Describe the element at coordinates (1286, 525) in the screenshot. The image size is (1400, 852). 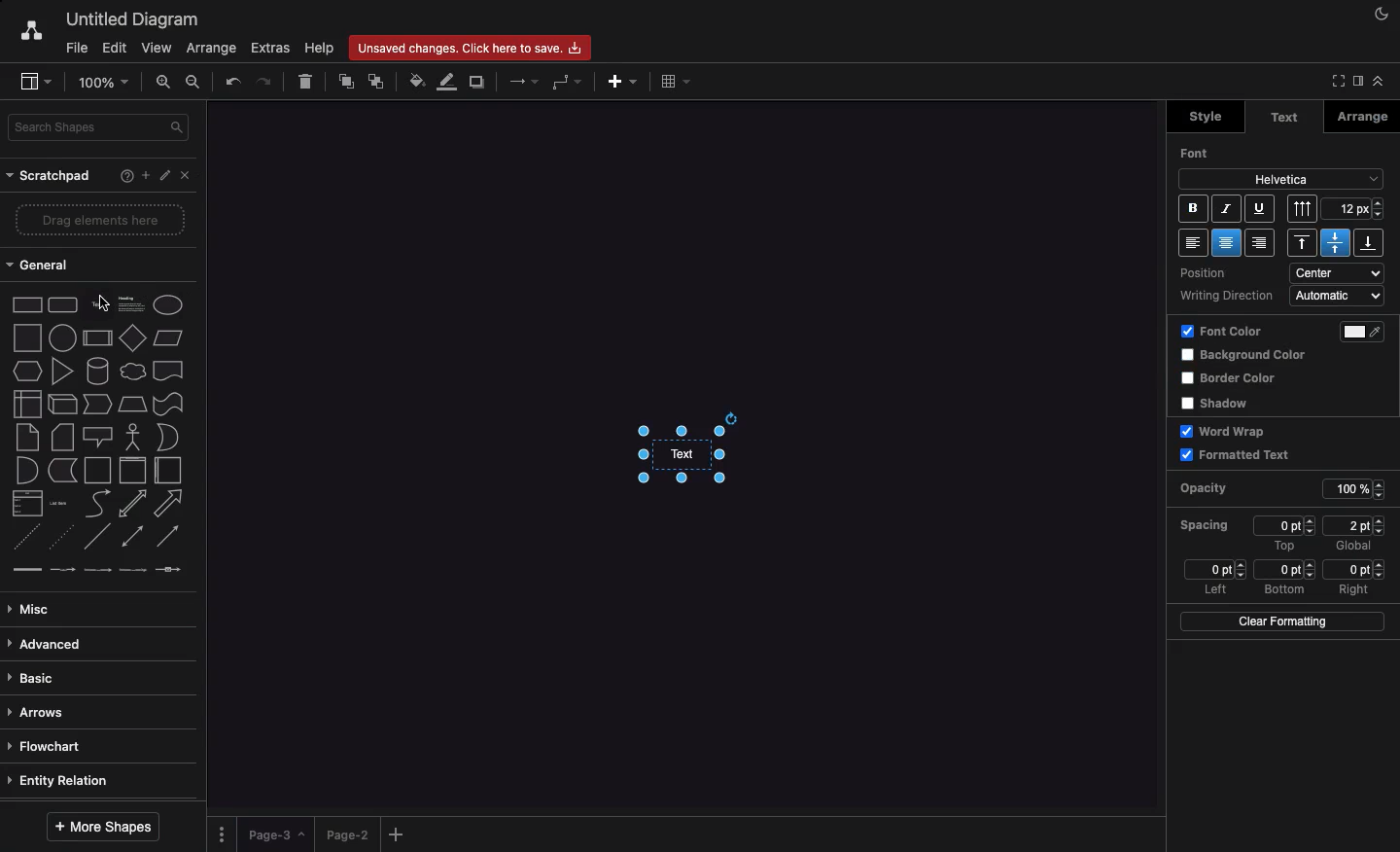
I see `0 pt` at that location.